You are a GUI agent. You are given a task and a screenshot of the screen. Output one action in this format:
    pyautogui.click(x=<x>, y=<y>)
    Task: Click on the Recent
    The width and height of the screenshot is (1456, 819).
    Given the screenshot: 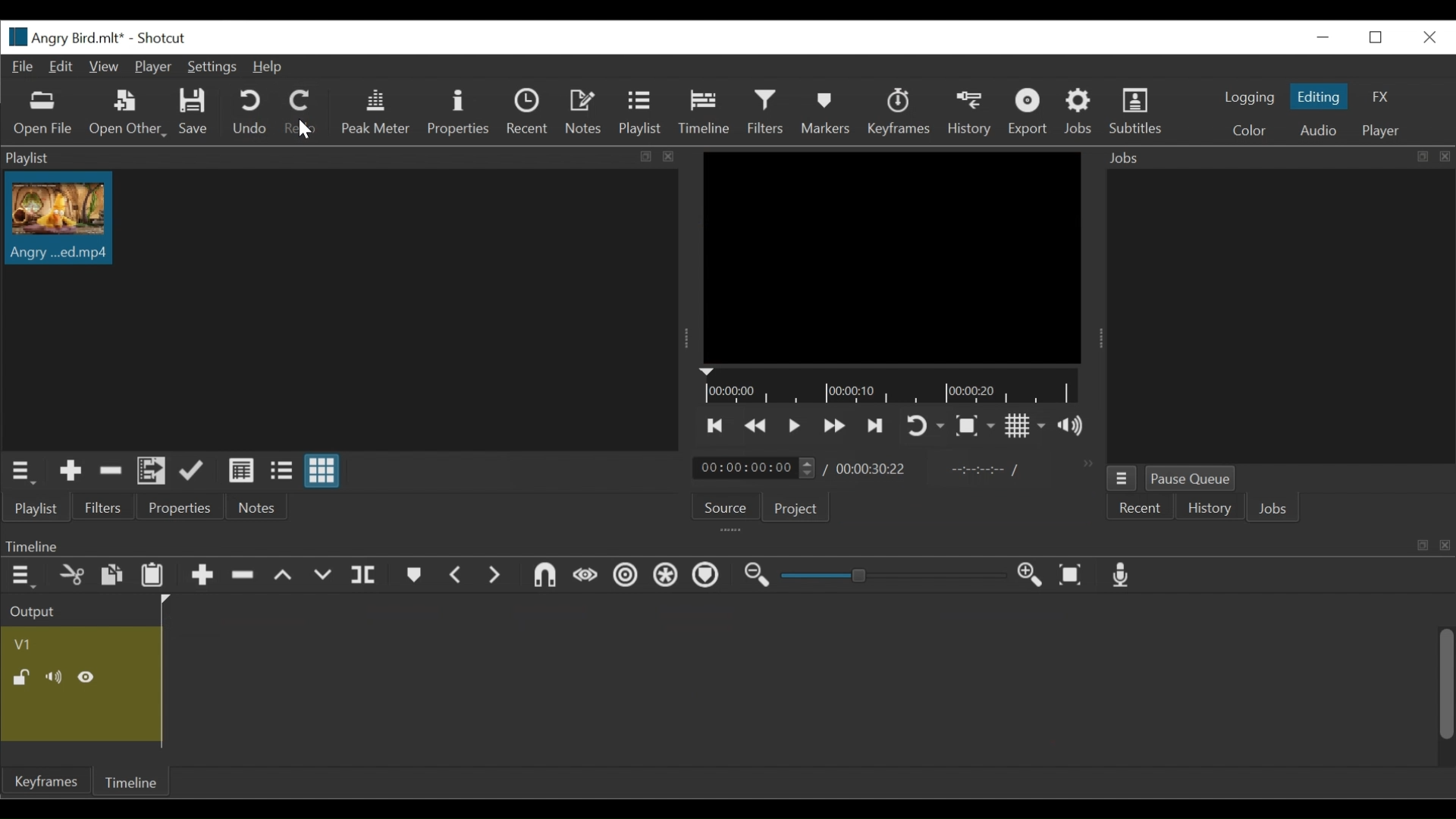 What is the action you would take?
    pyautogui.click(x=1141, y=508)
    